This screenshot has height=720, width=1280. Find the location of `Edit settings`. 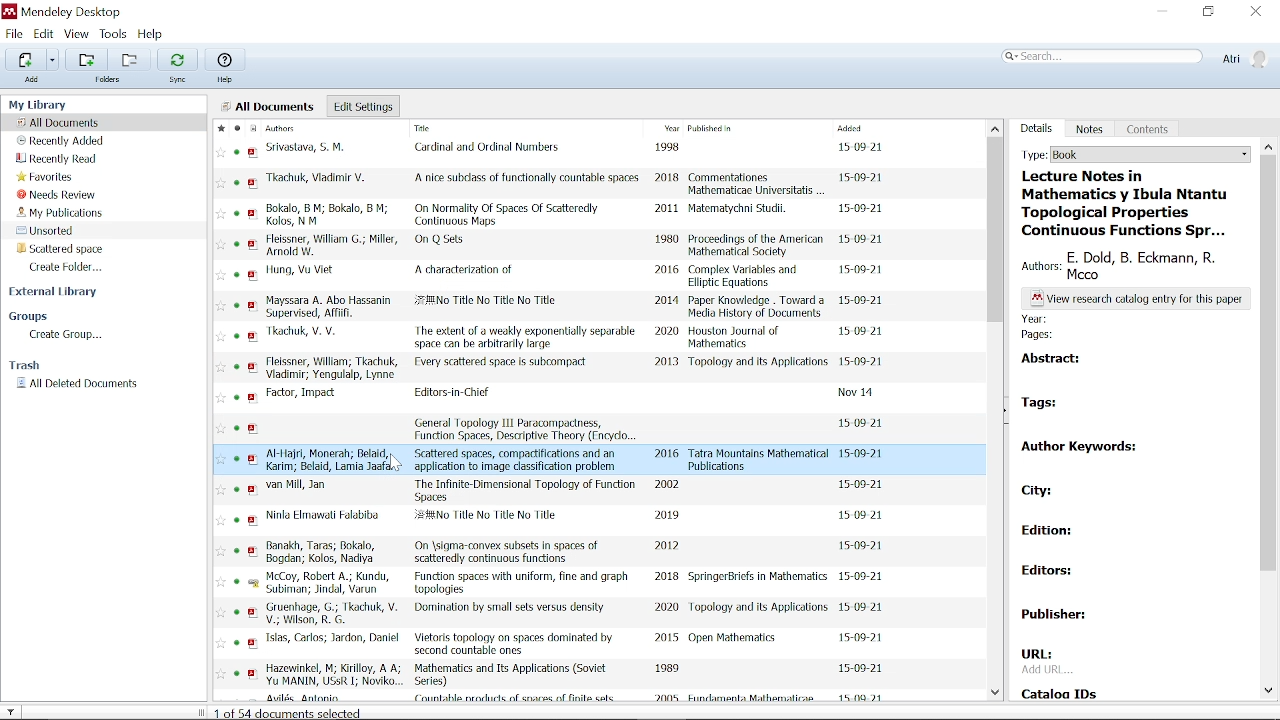

Edit settings is located at coordinates (363, 106).